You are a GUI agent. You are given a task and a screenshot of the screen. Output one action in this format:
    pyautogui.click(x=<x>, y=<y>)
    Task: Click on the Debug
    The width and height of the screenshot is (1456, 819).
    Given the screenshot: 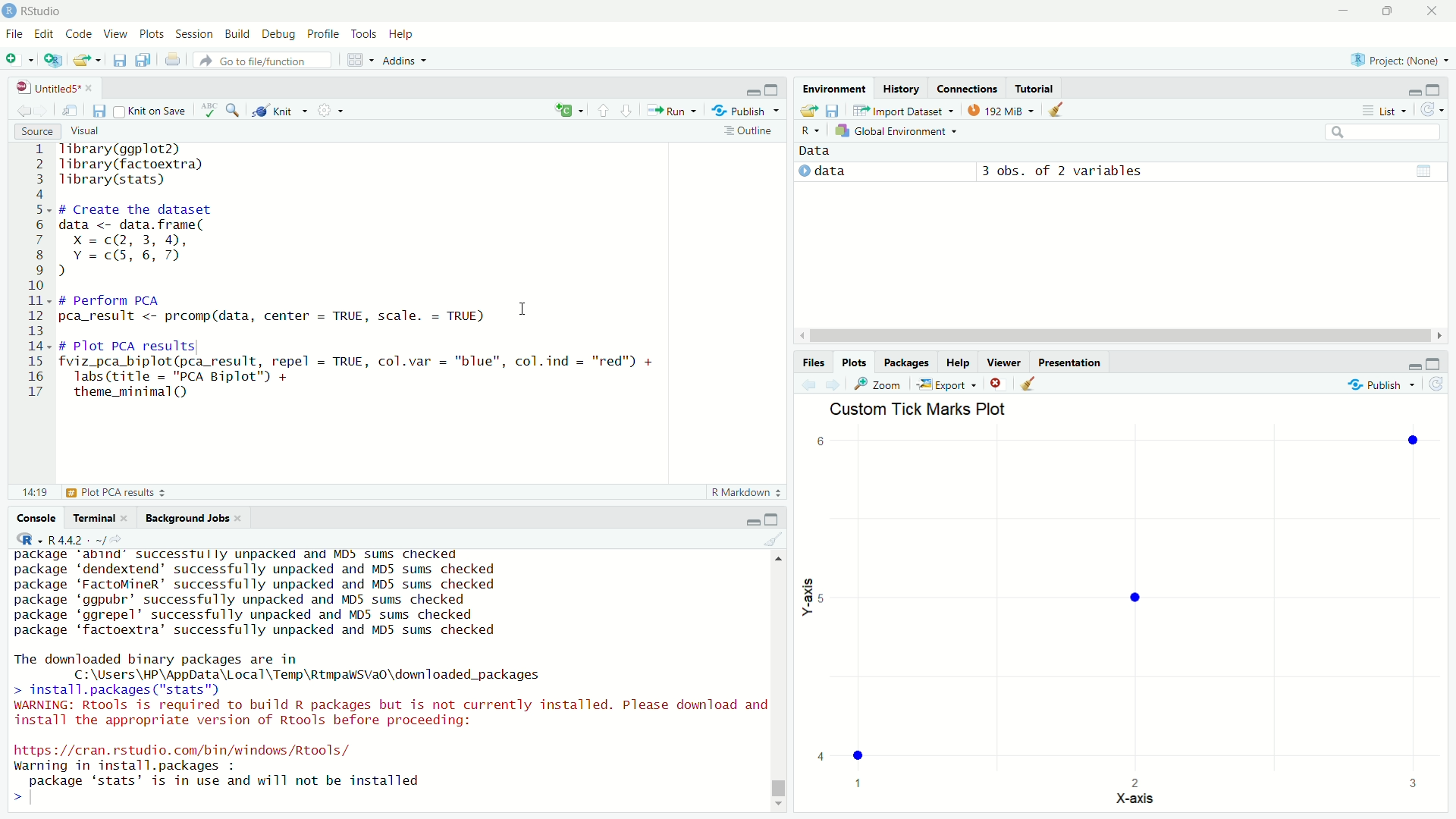 What is the action you would take?
    pyautogui.click(x=280, y=35)
    